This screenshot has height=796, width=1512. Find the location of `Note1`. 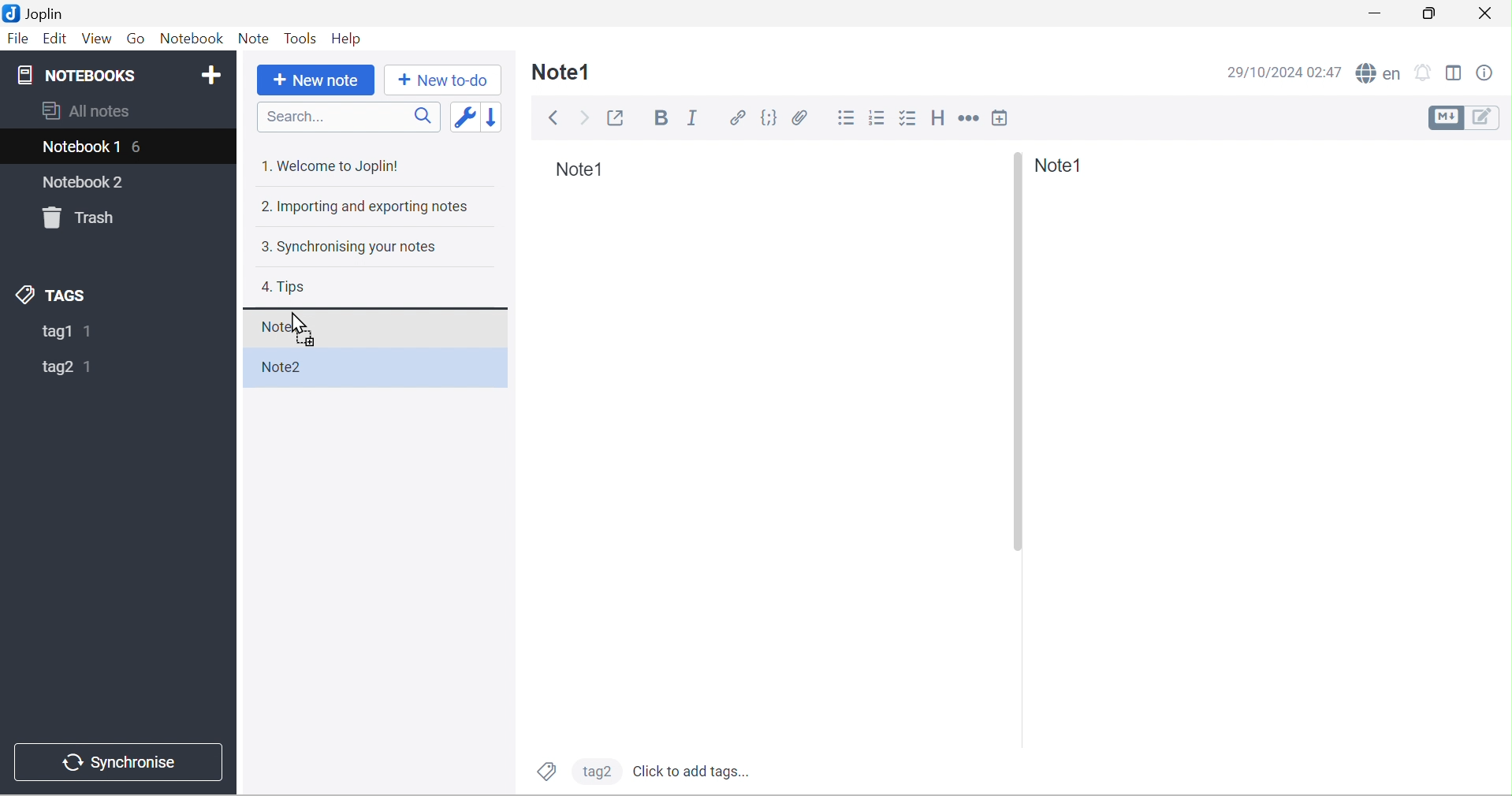

Note1 is located at coordinates (283, 328).